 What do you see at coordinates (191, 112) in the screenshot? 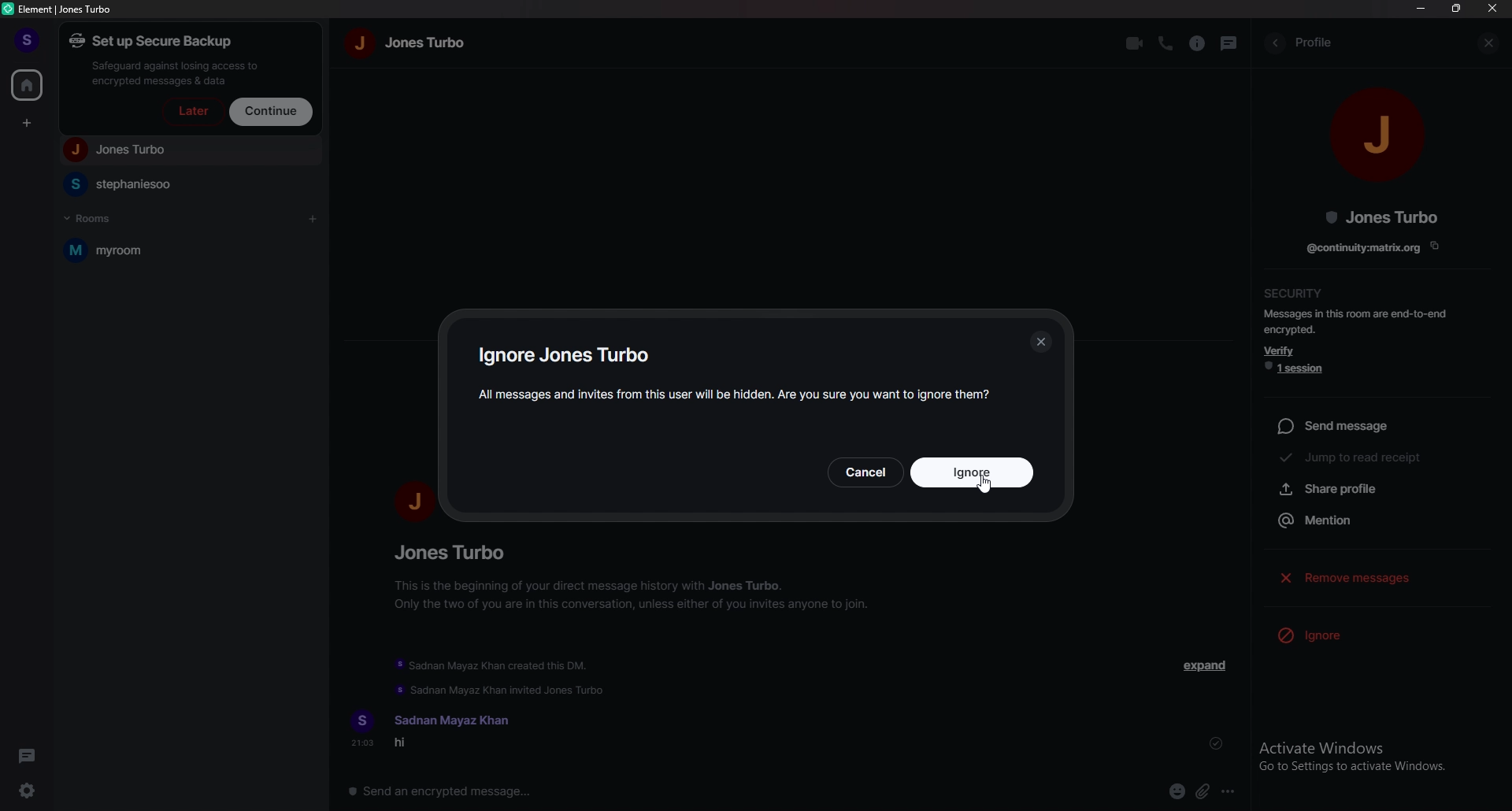
I see `later` at bounding box center [191, 112].